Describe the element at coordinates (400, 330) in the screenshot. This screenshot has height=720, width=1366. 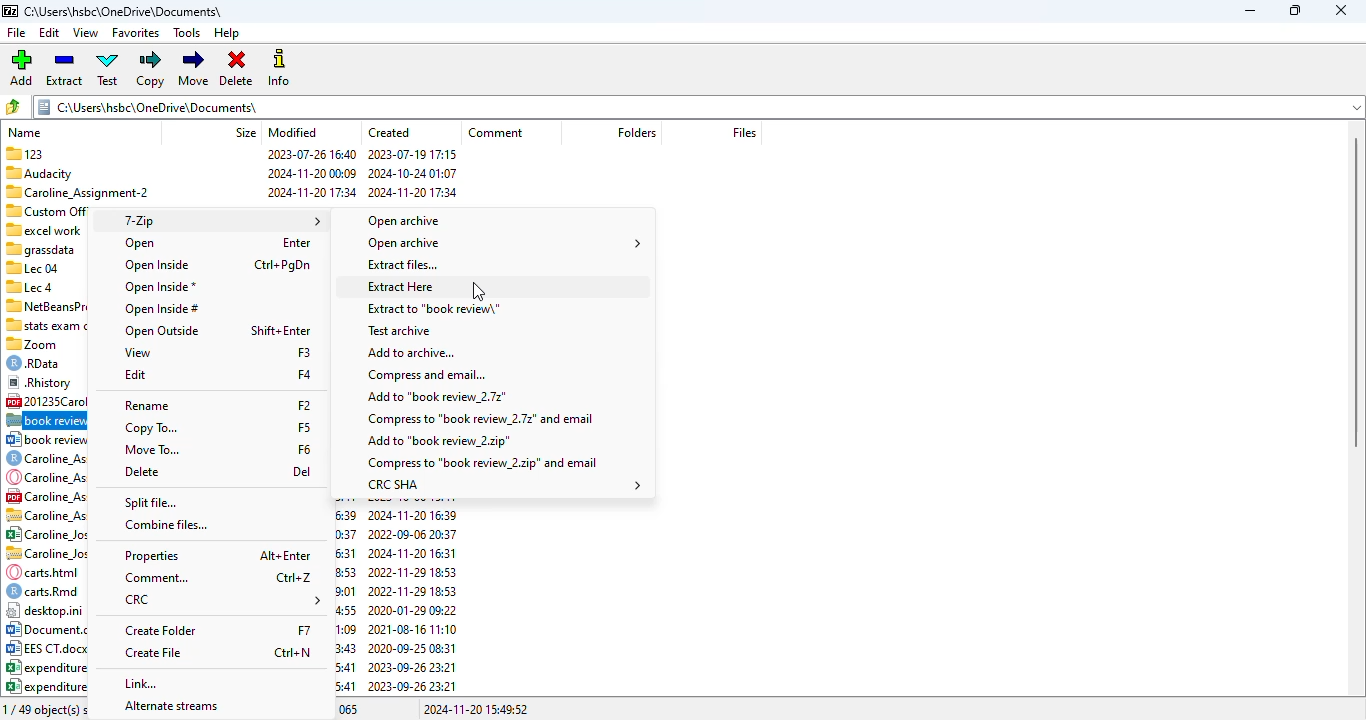
I see `test archive` at that location.